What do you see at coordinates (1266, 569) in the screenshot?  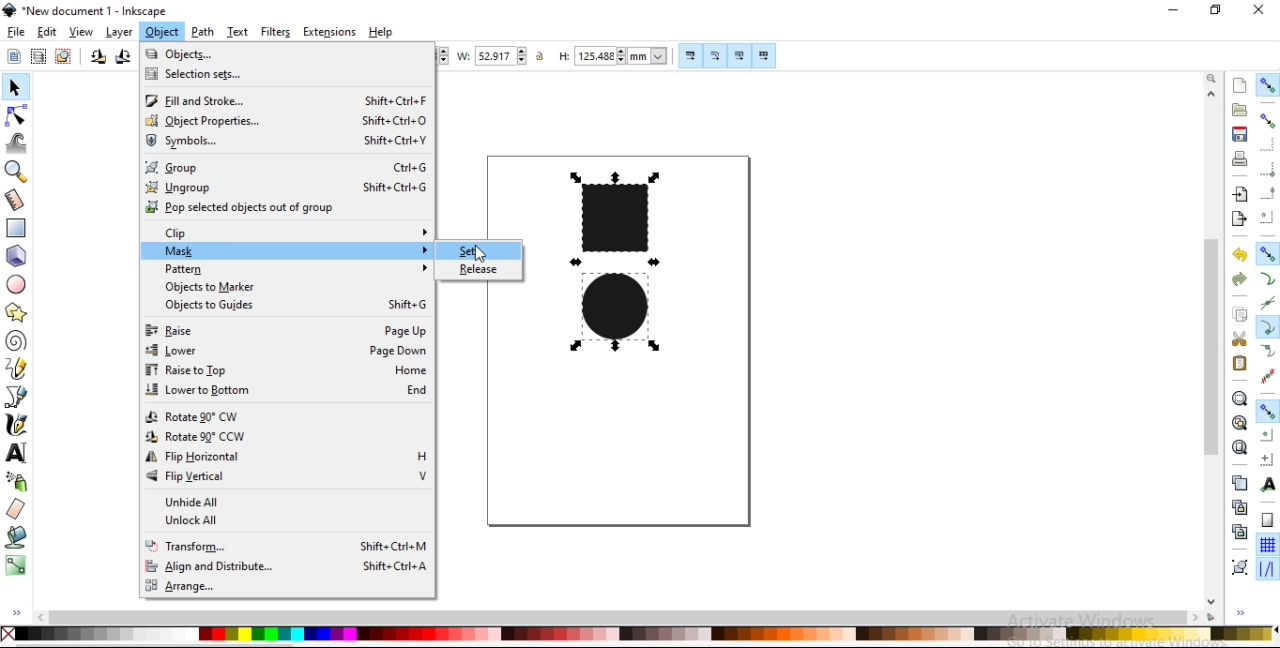 I see `snap guide` at bounding box center [1266, 569].